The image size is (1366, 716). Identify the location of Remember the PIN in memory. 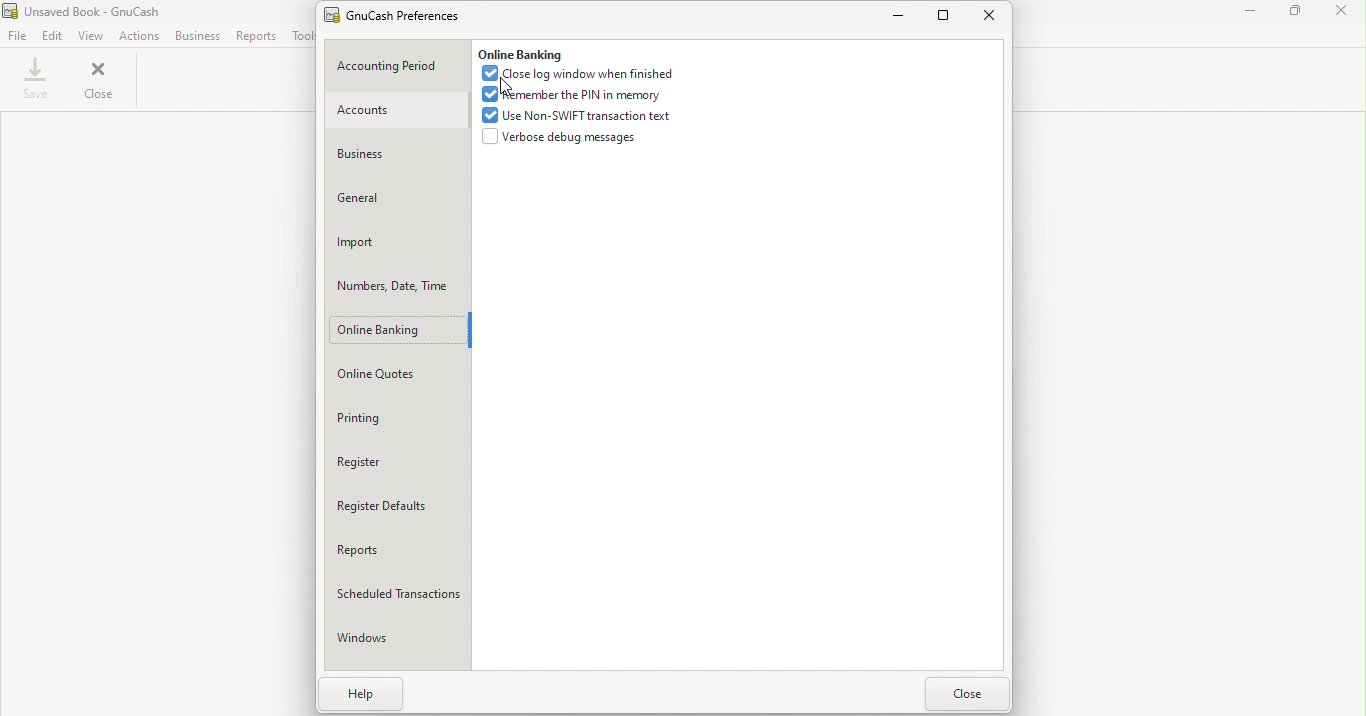
(571, 95).